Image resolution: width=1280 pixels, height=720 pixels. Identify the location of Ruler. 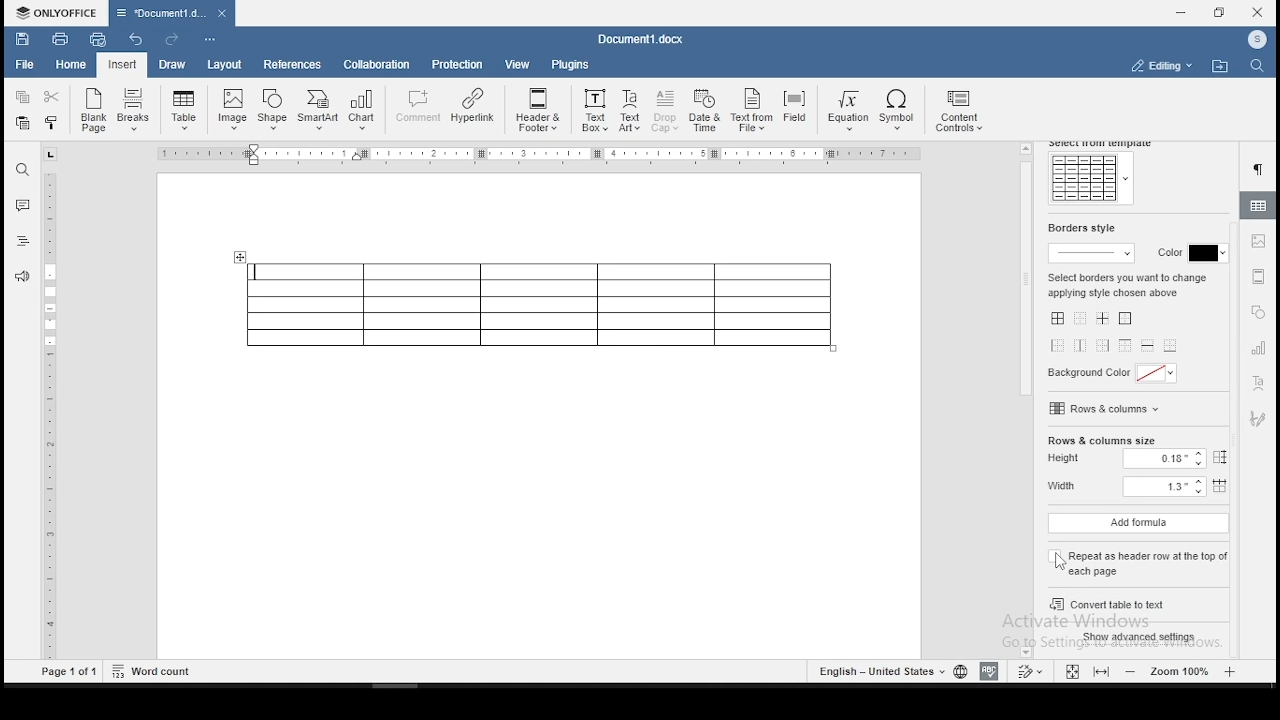
(542, 154).